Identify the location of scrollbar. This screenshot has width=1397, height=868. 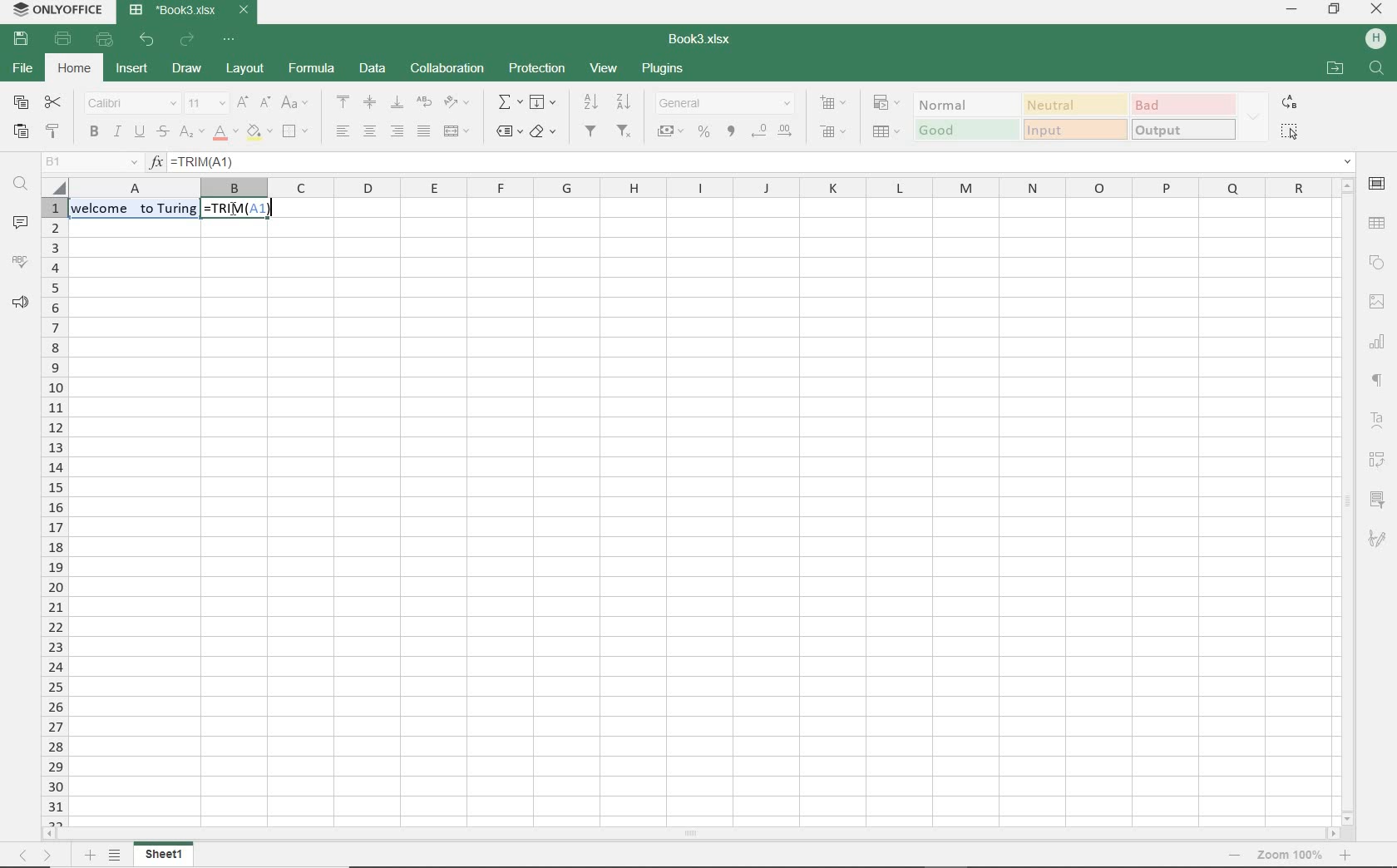
(1346, 501).